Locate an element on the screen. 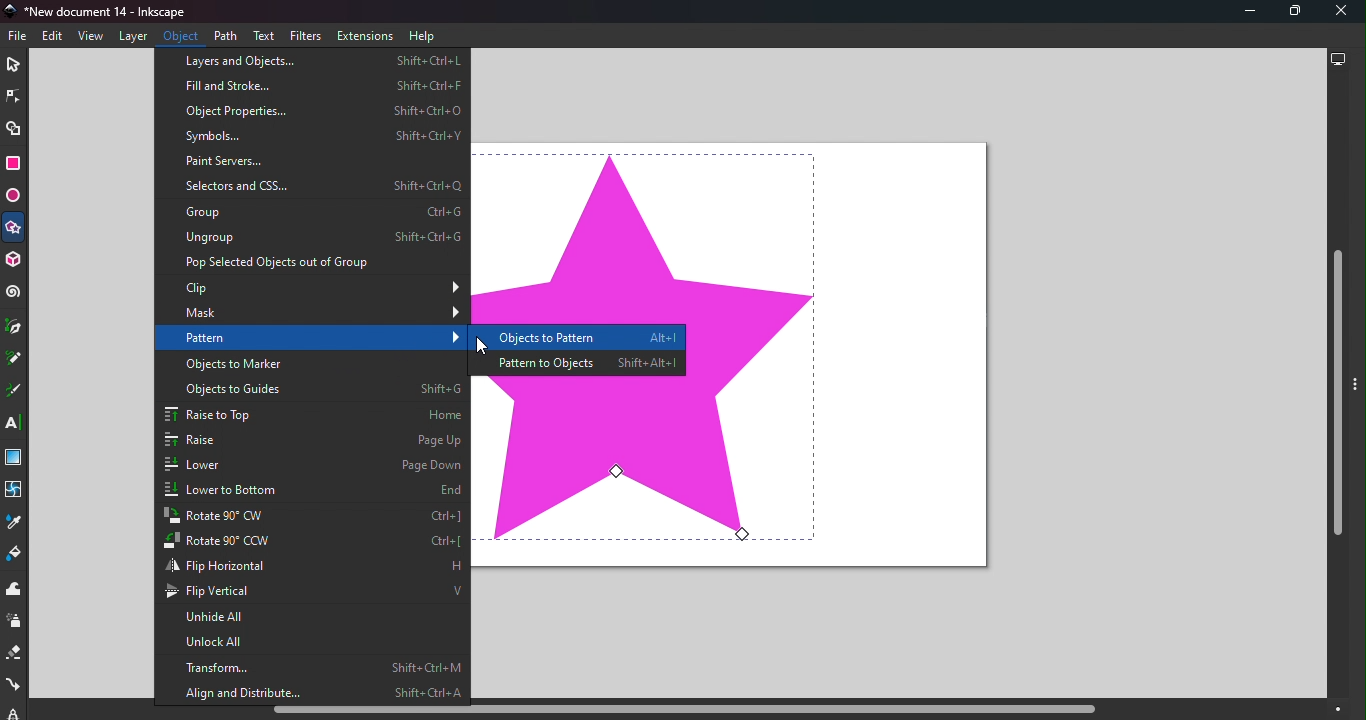 The width and height of the screenshot is (1366, 720). Close is located at coordinates (1342, 12).